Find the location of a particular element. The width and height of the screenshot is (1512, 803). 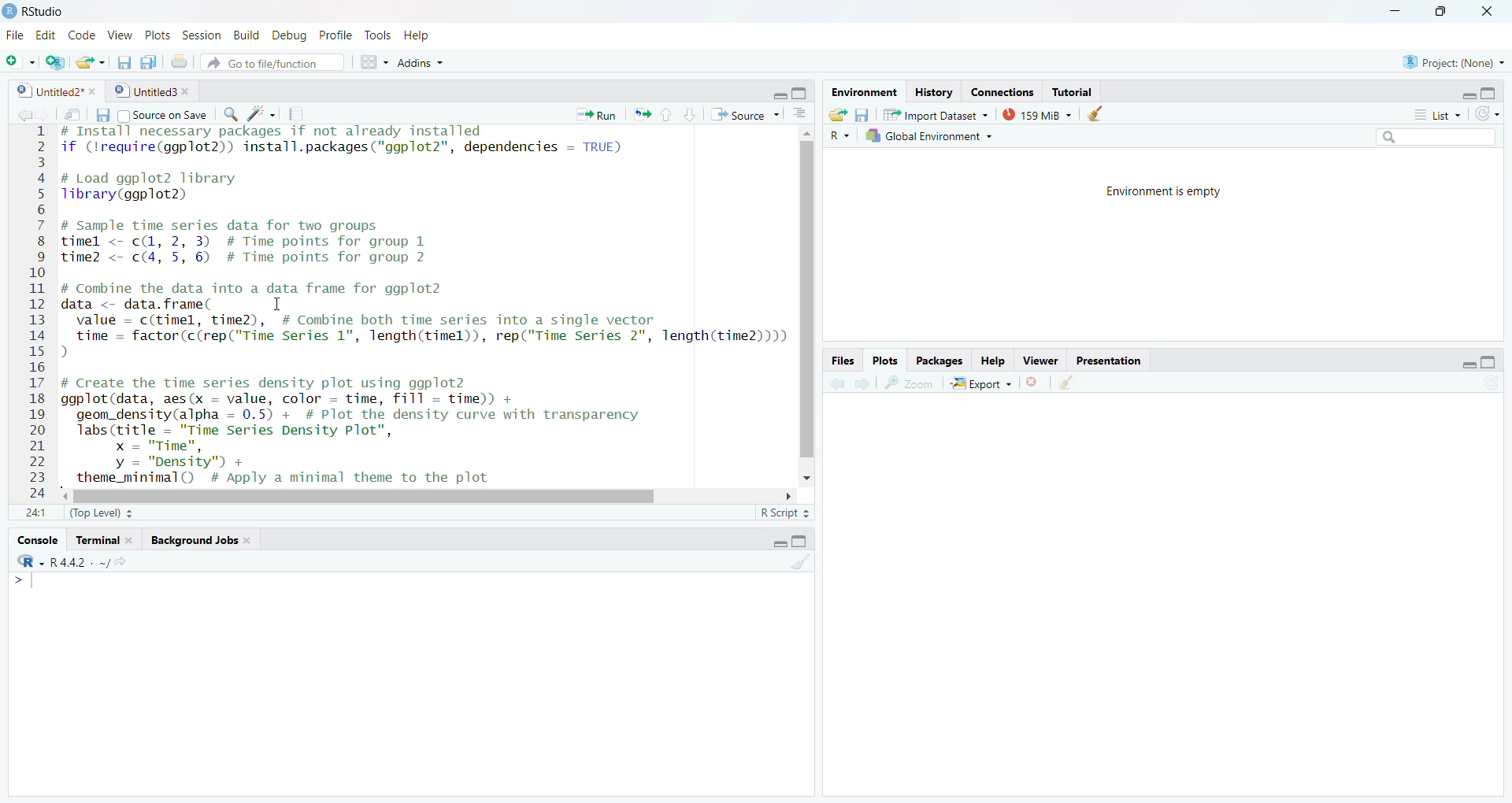

# Load ggplot2 library
library(ggplot2) is located at coordinates (151, 188).